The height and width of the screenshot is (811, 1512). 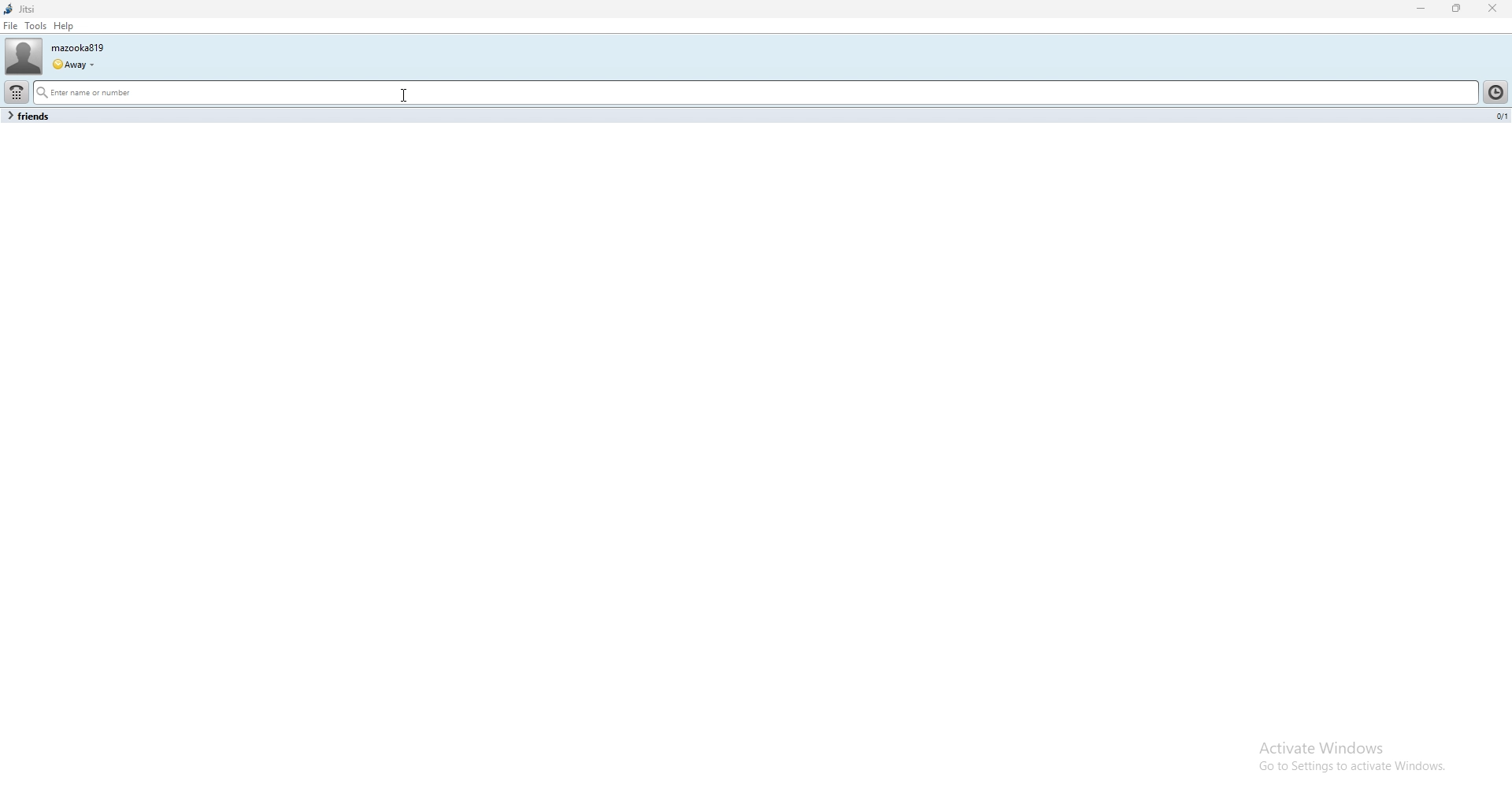 I want to click on jitsi, so click(x=50, y=9).